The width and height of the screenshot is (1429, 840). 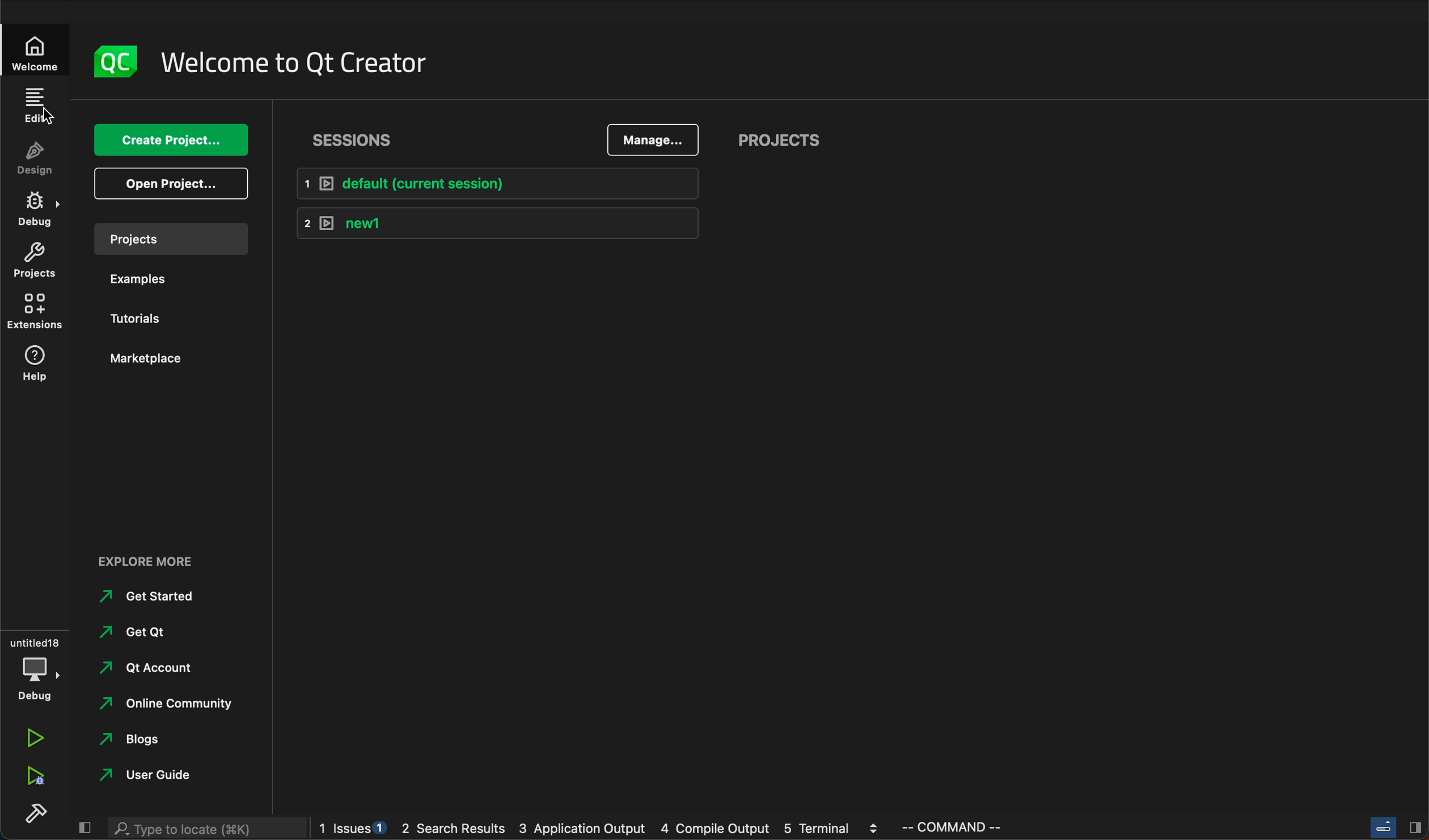 I want to click on run, so click(x=35, y=740).